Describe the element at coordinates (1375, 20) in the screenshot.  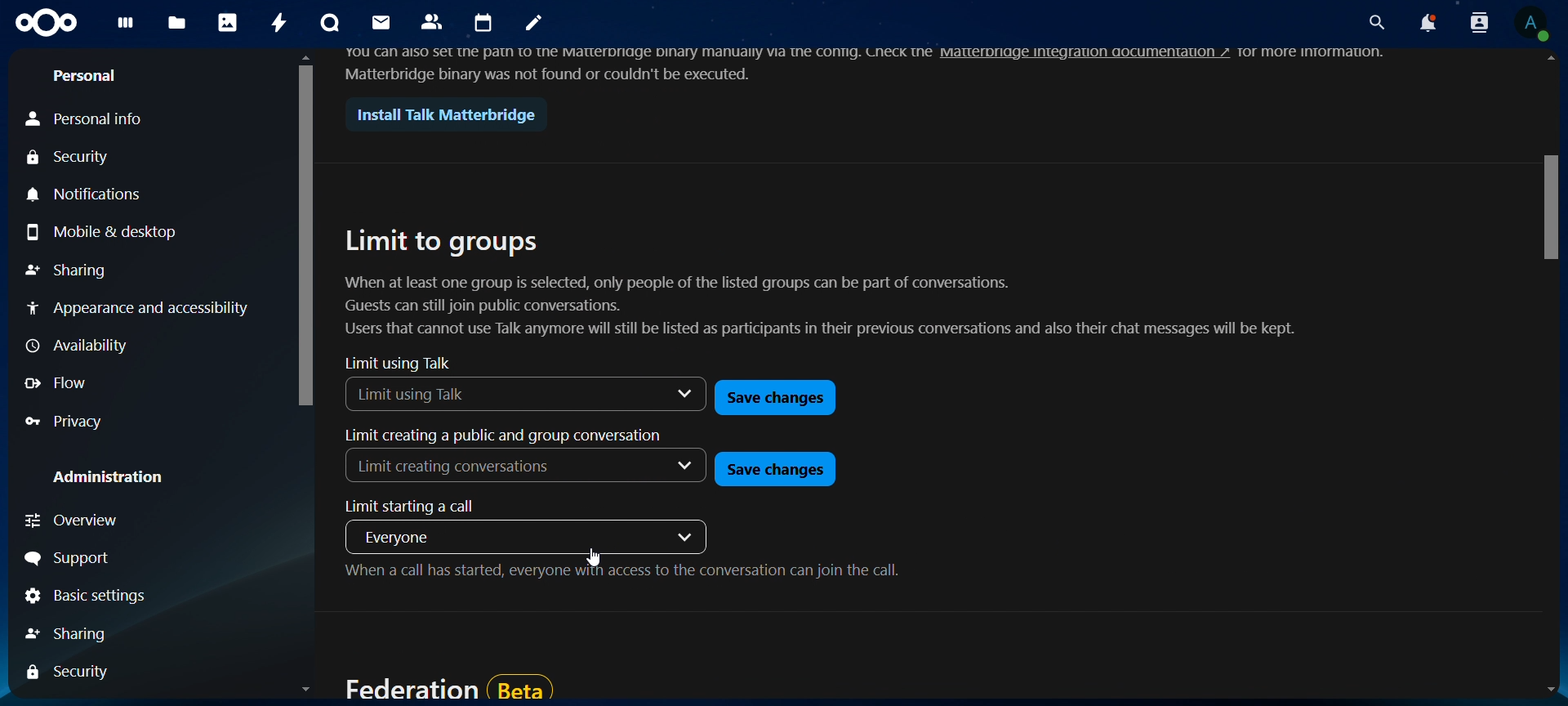
I see `search` at that location.